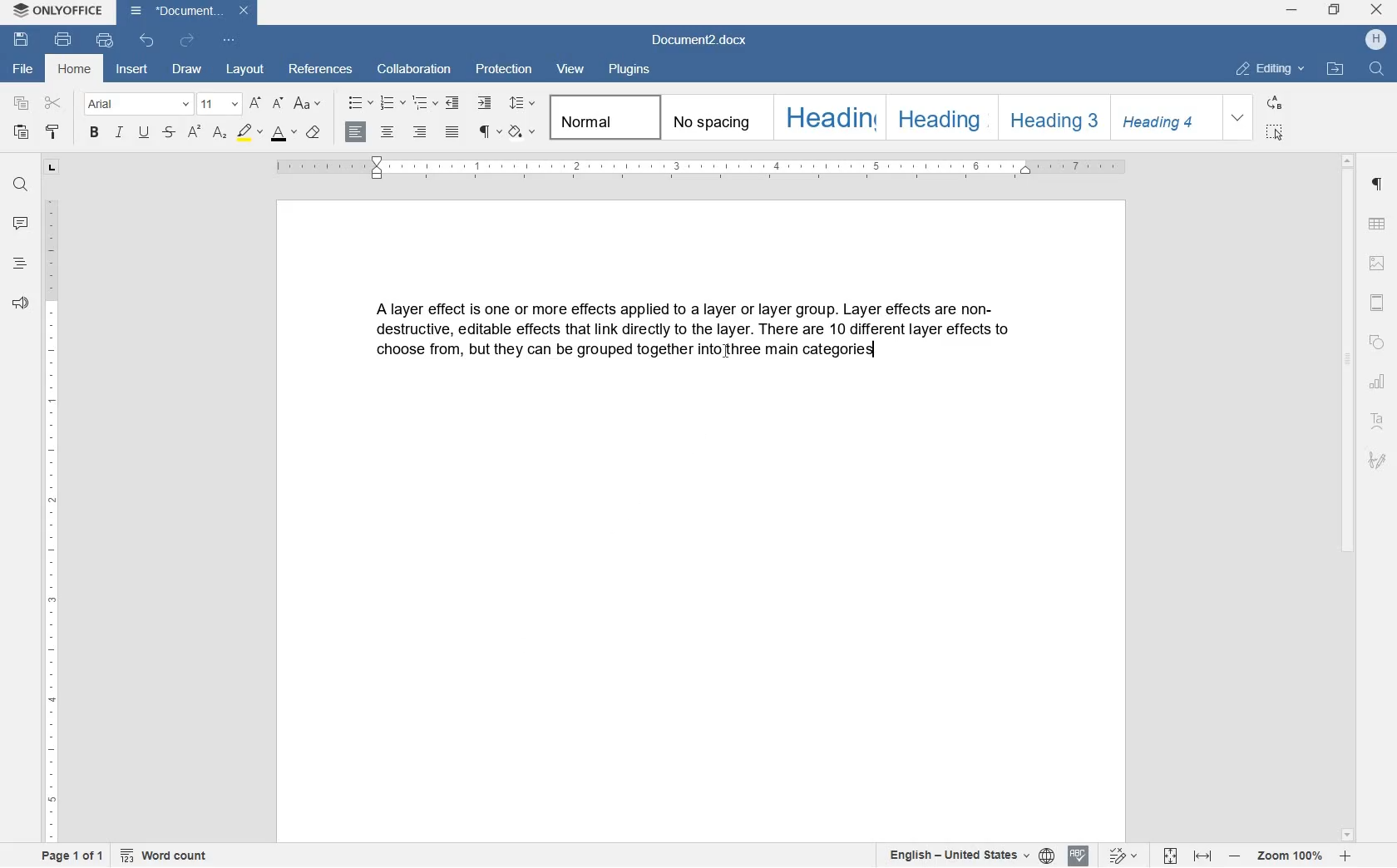 Image resolution: width=1397 pixels, height=868 pixels. What do you see at coordinates (1348, 496) in the screenshot?
I see `scrollbar` at bounding box center [1348, 496].